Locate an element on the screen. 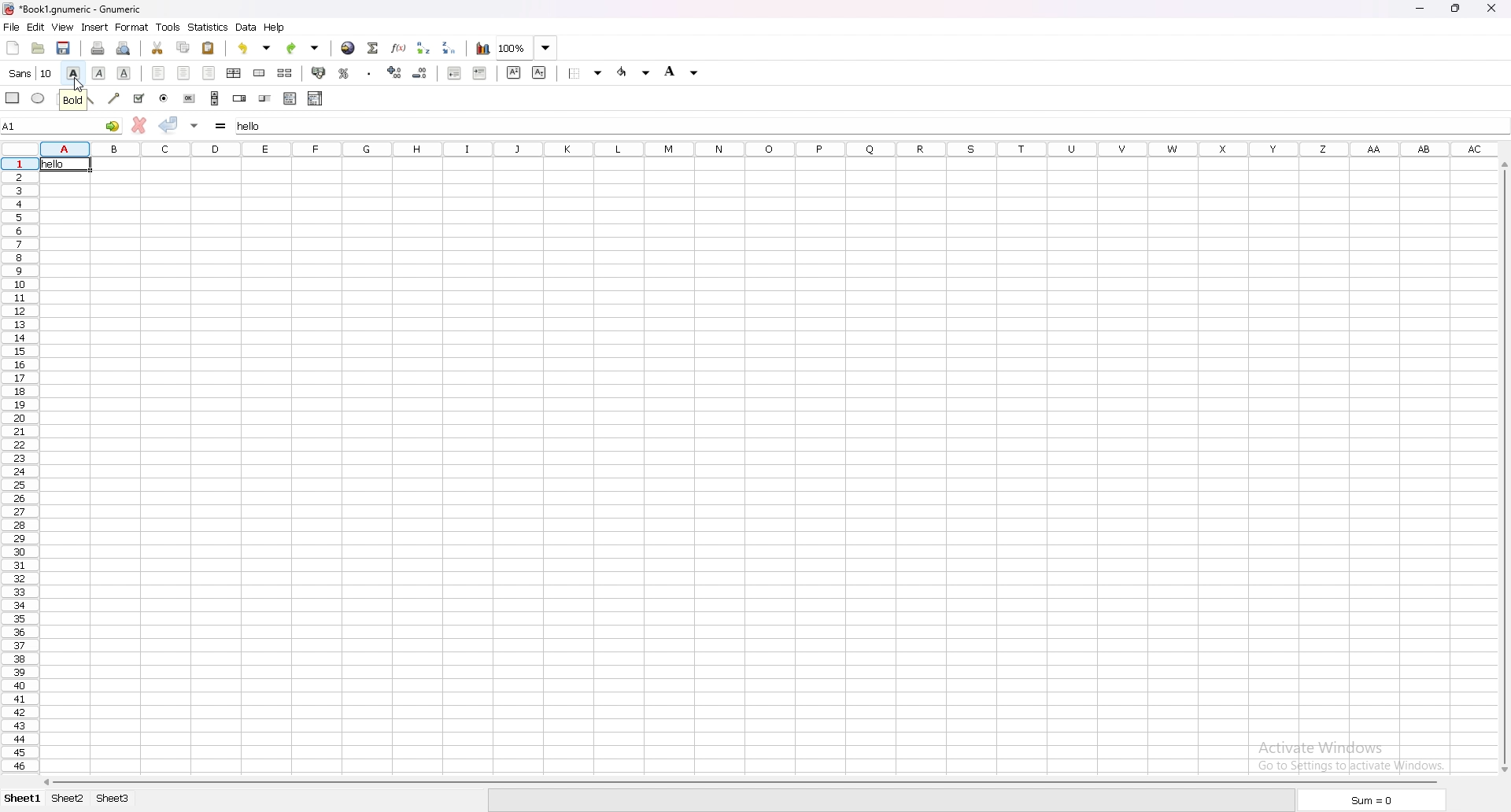 The width and height of the screenshot is (1511, 812). button is located at coordinates (187, 98).